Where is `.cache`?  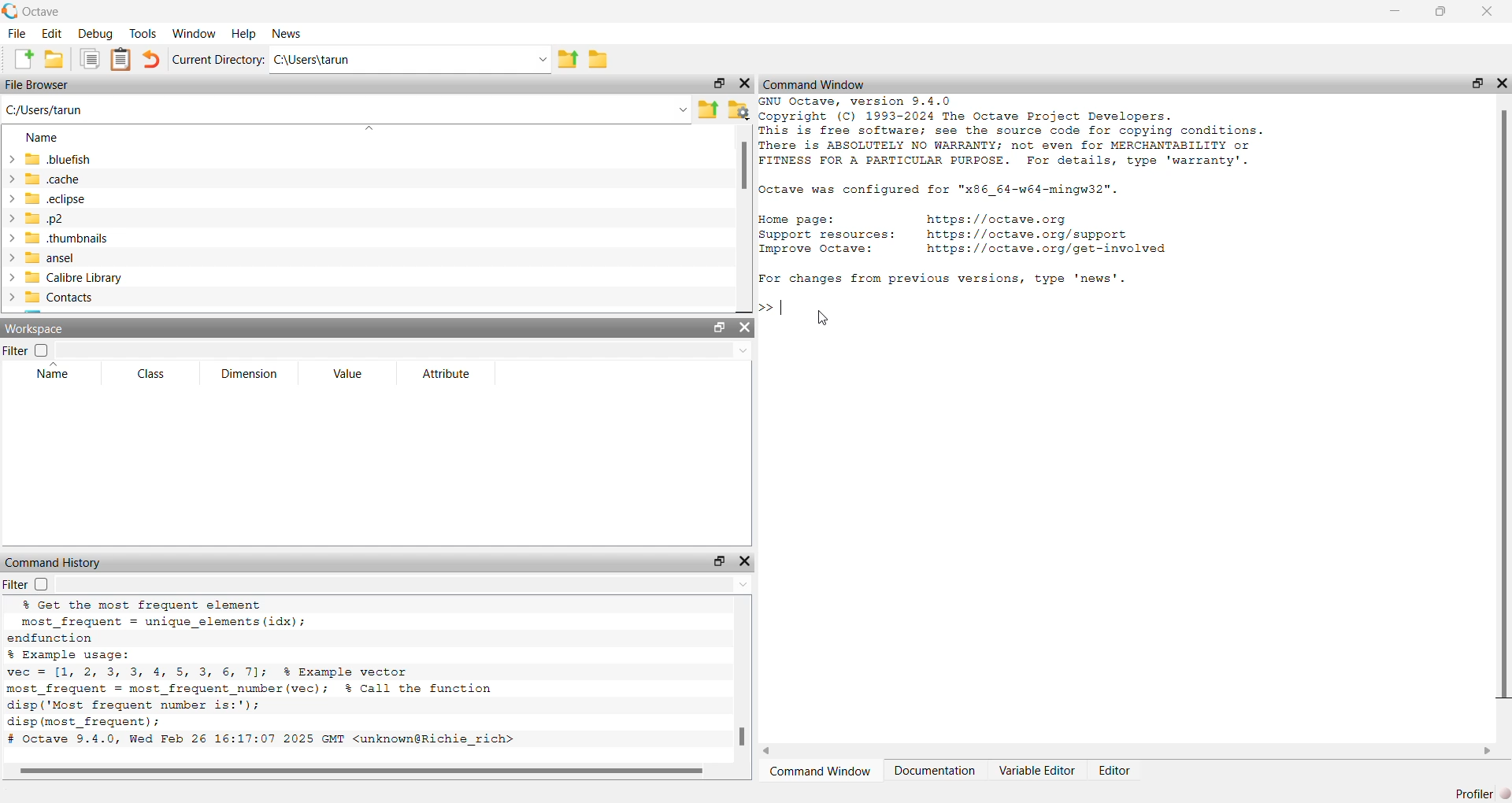
.cache is located at coordinates (54, 178).